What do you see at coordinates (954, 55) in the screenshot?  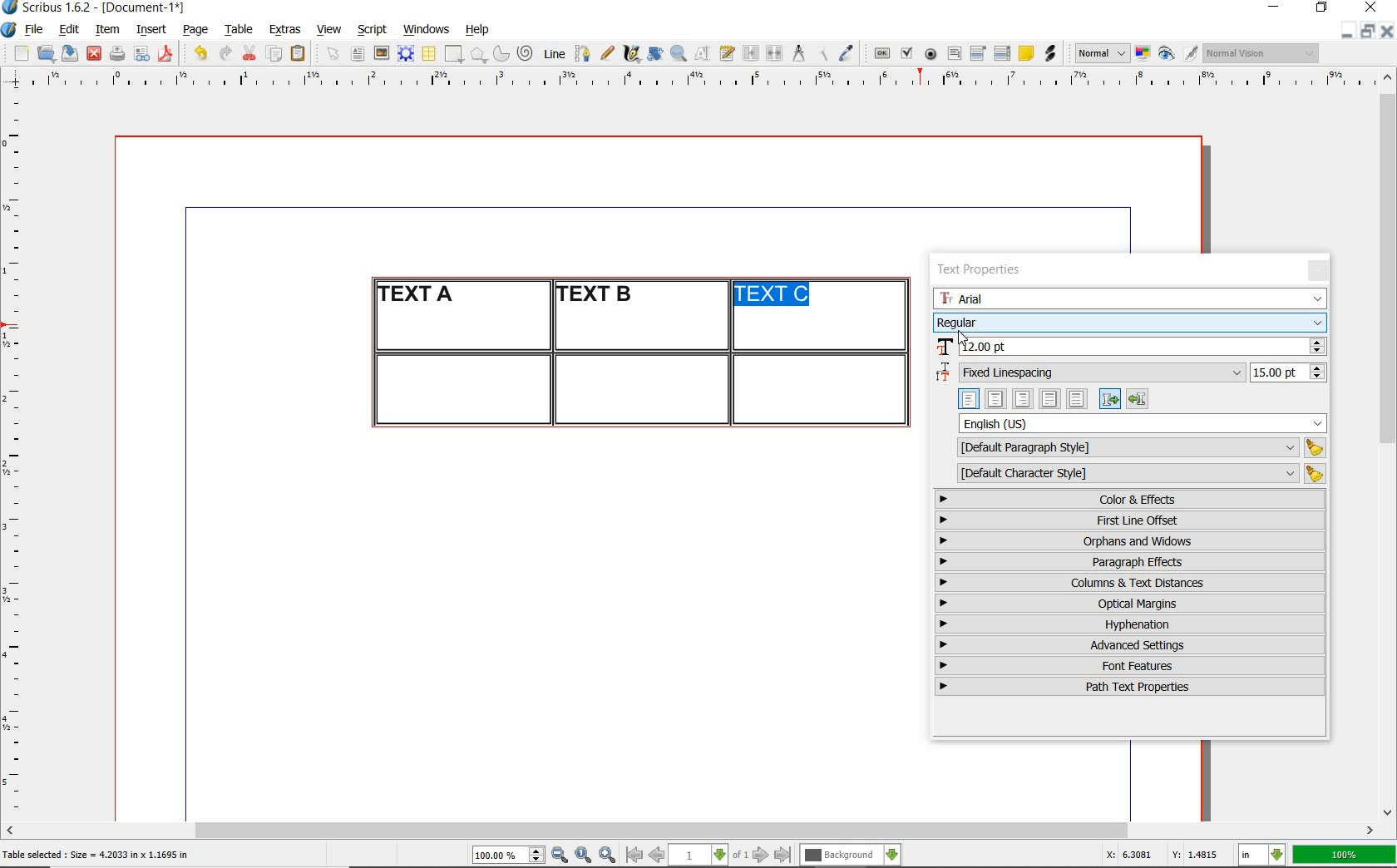 I see `pdf text field` at bounding box center [954, 55].